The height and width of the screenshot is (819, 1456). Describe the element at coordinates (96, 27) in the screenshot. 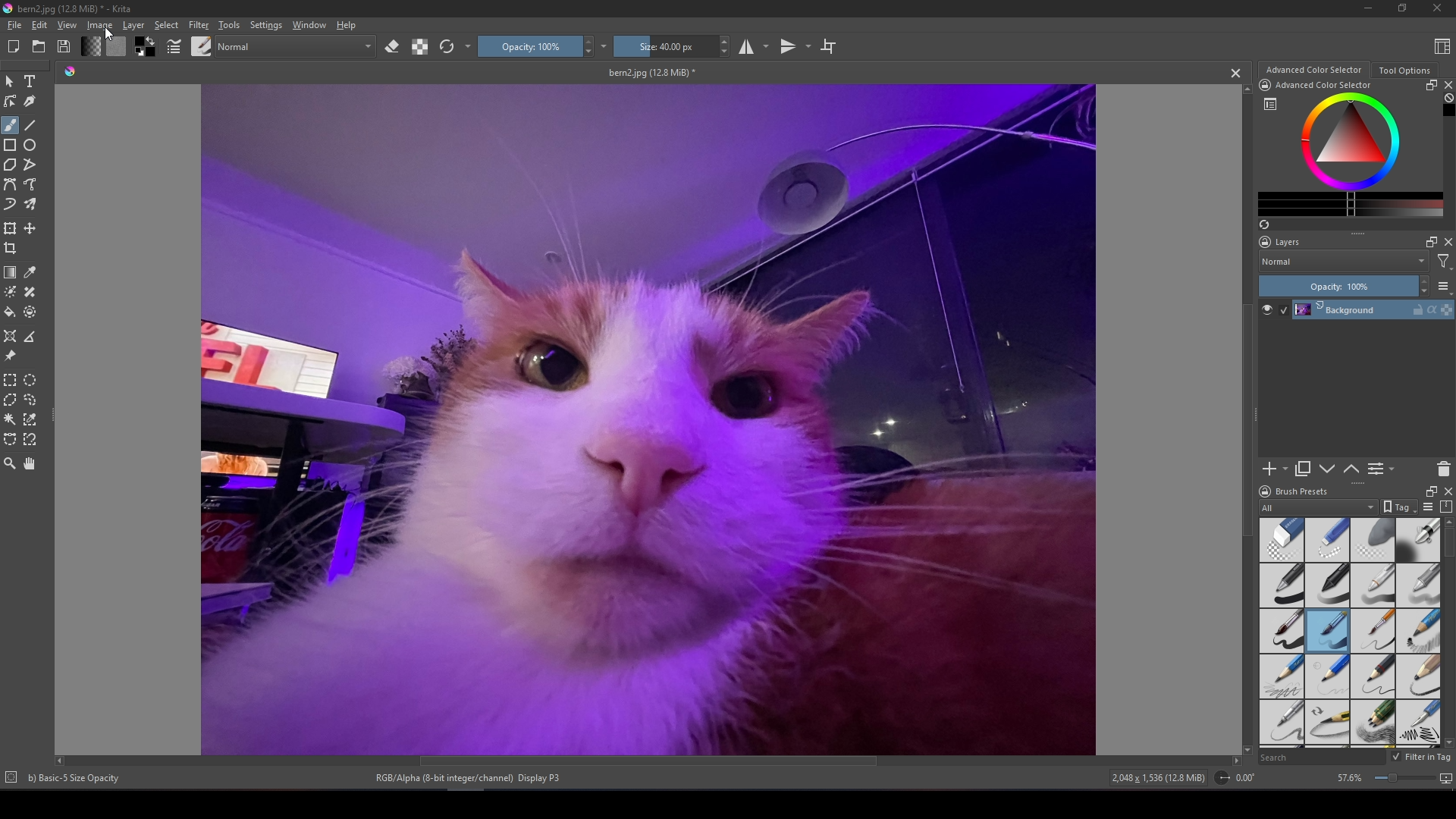

I see `image` at that location.